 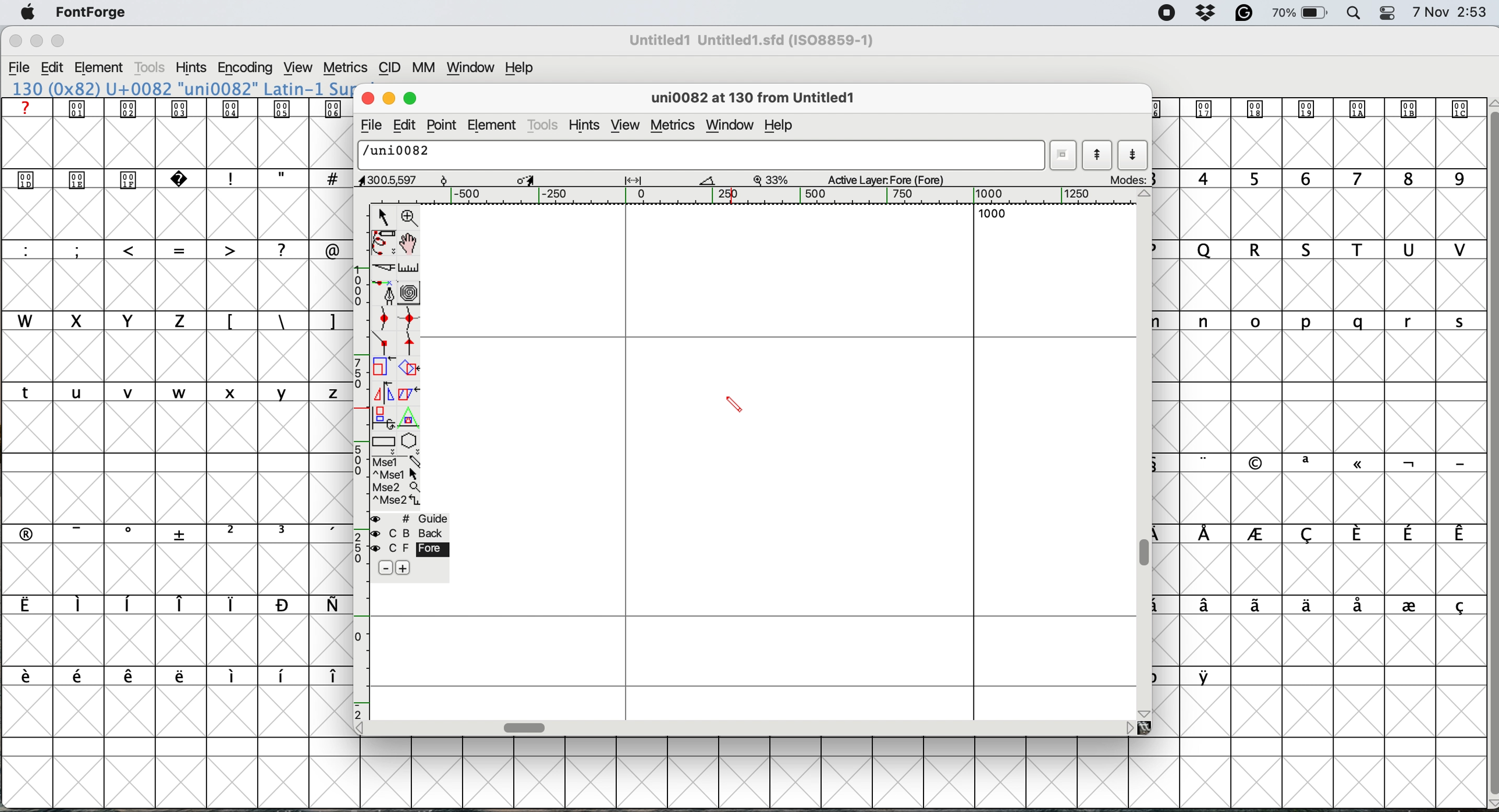 What do you see at coordinates (517, 69) in the screenshot?
I see `help` at bounding box center [517, 69].